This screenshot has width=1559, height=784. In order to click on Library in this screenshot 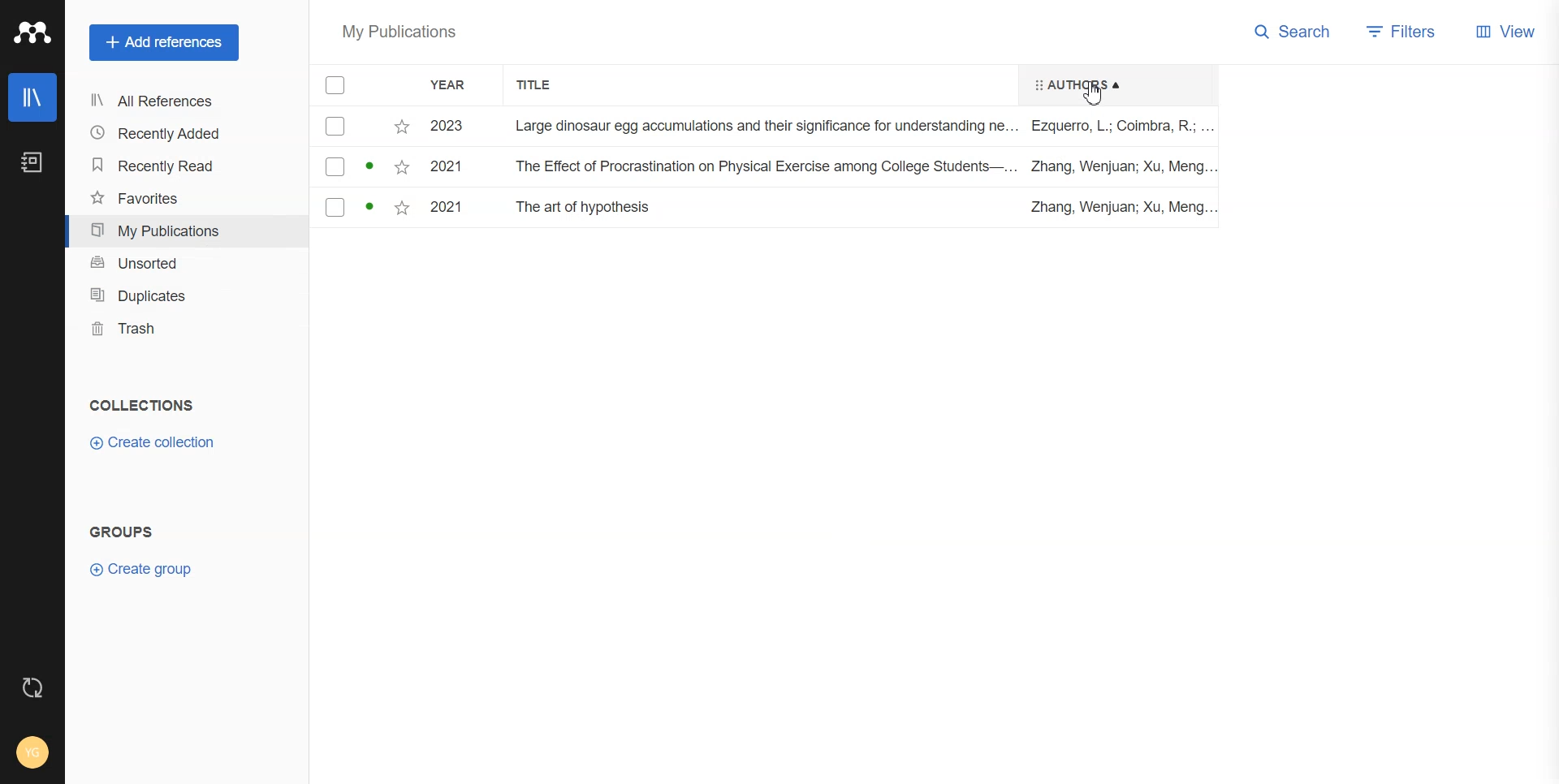, I will do `click(33, 97)`.